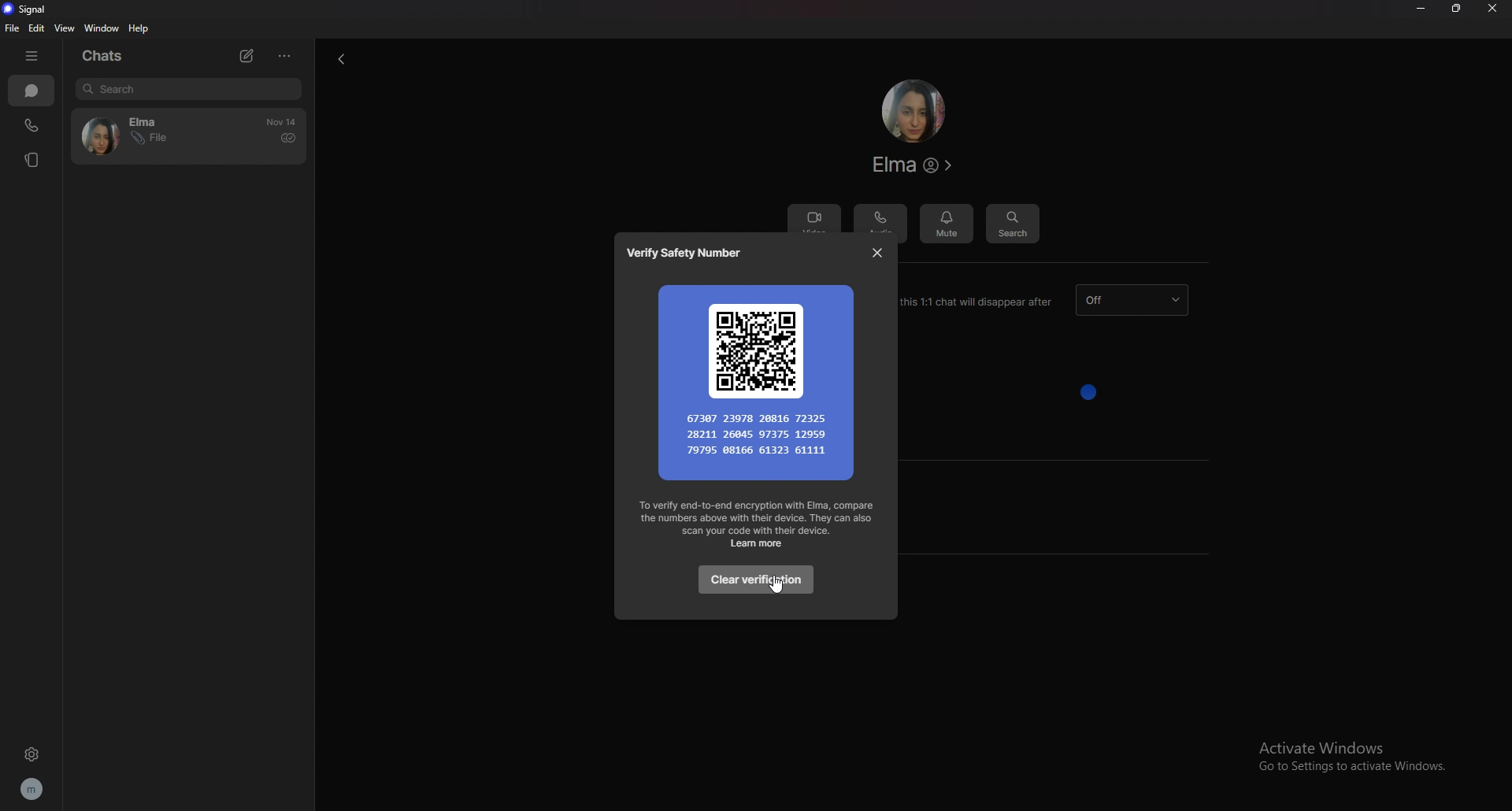 The height and width of the screenshot is (811, 1512). What do you see at coordinates (338, 61) in the screenshot?
I see `back` at bounding box center [338, 61].